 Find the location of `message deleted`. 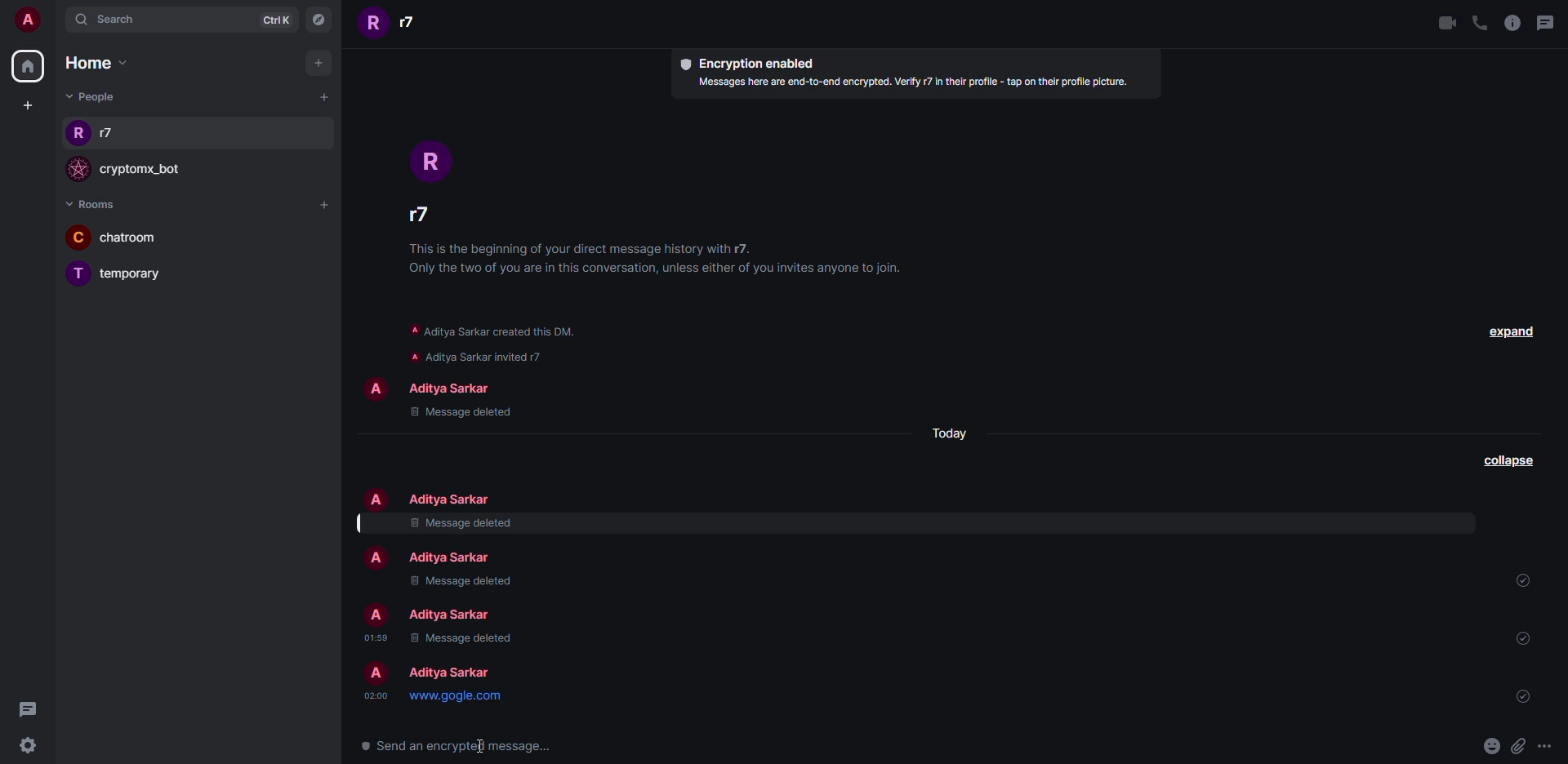

message deleted is located at coordinates (461, 523).